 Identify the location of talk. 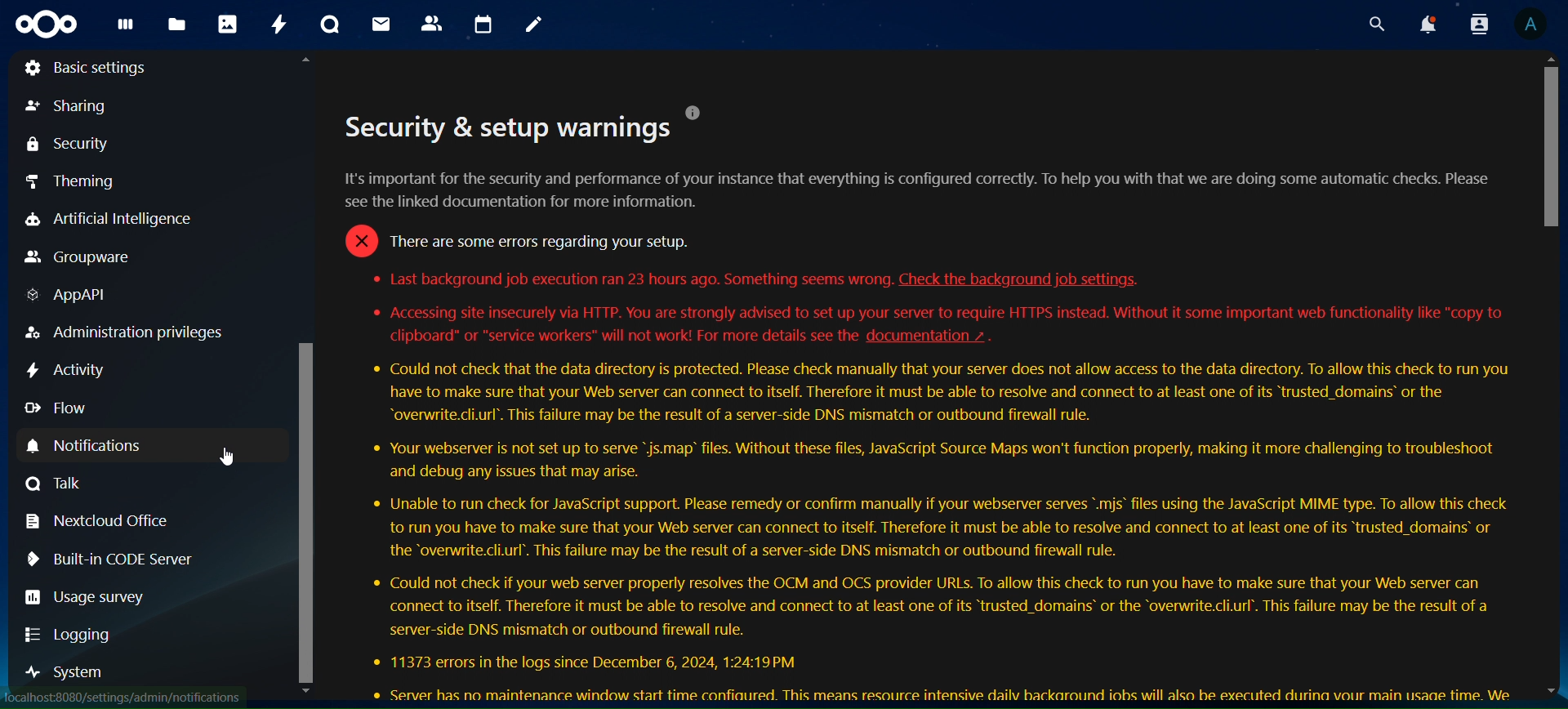
(52, 484).